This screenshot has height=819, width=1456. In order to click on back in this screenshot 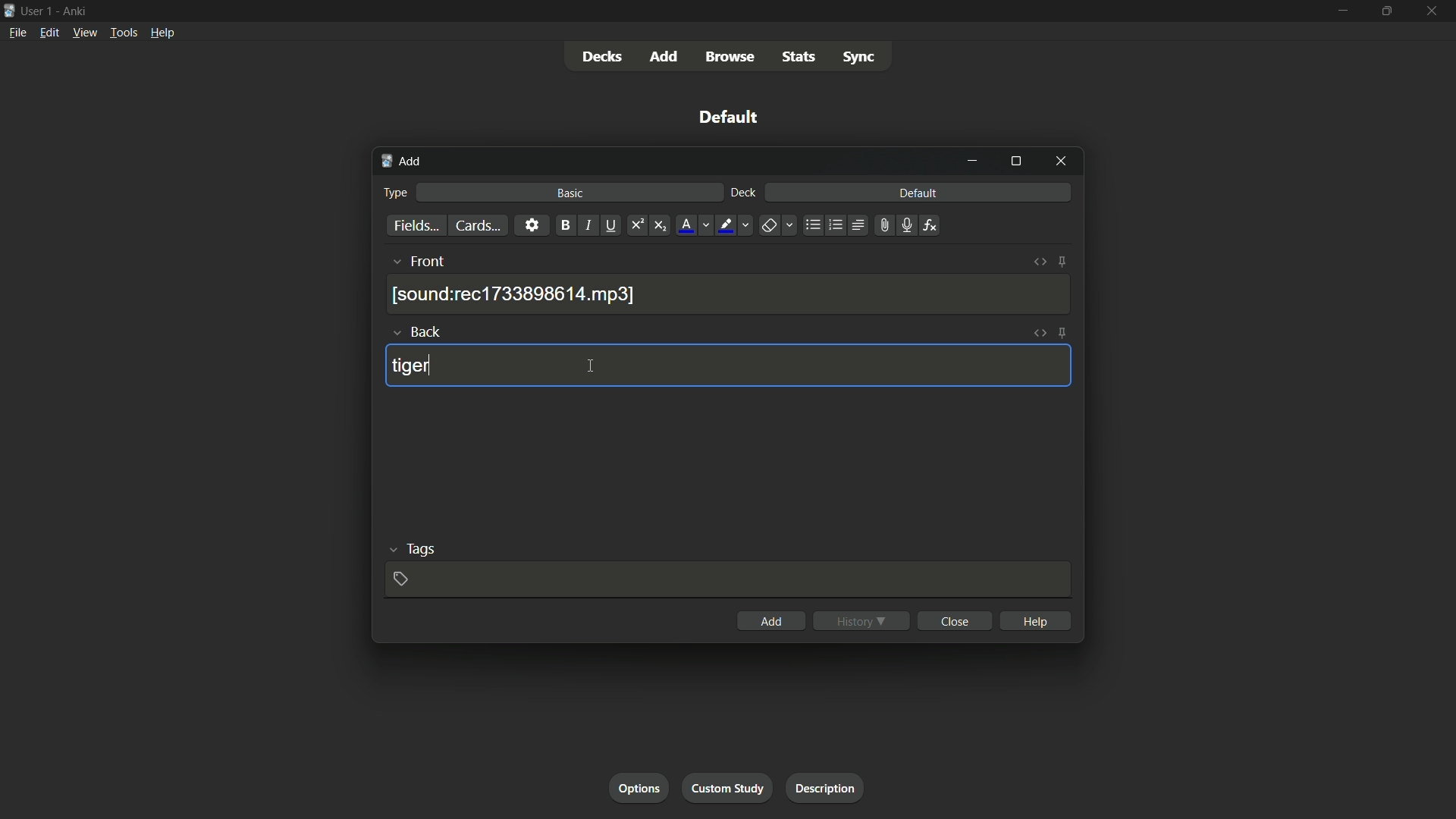, I will do `click(428, 331)`.